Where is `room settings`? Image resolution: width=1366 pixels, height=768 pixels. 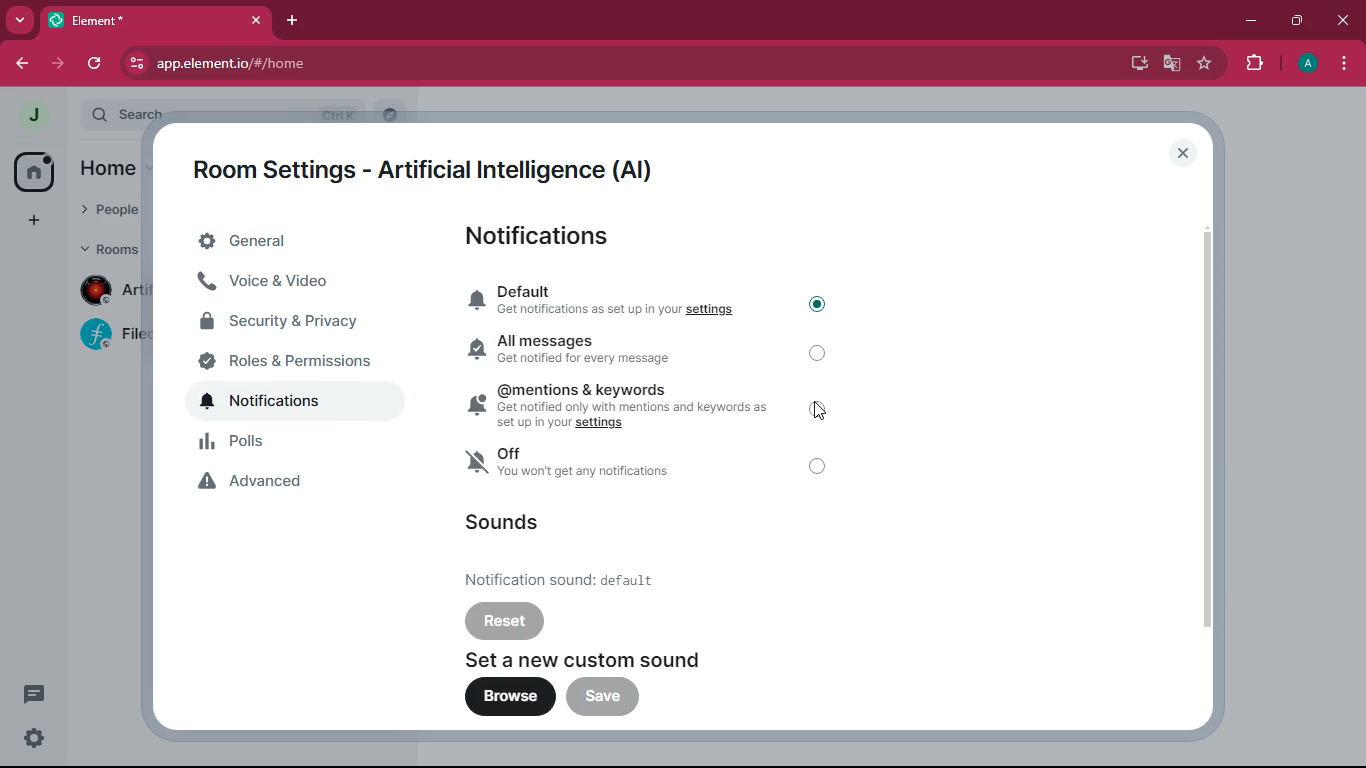 room settings is located at coordinates (433, 166).